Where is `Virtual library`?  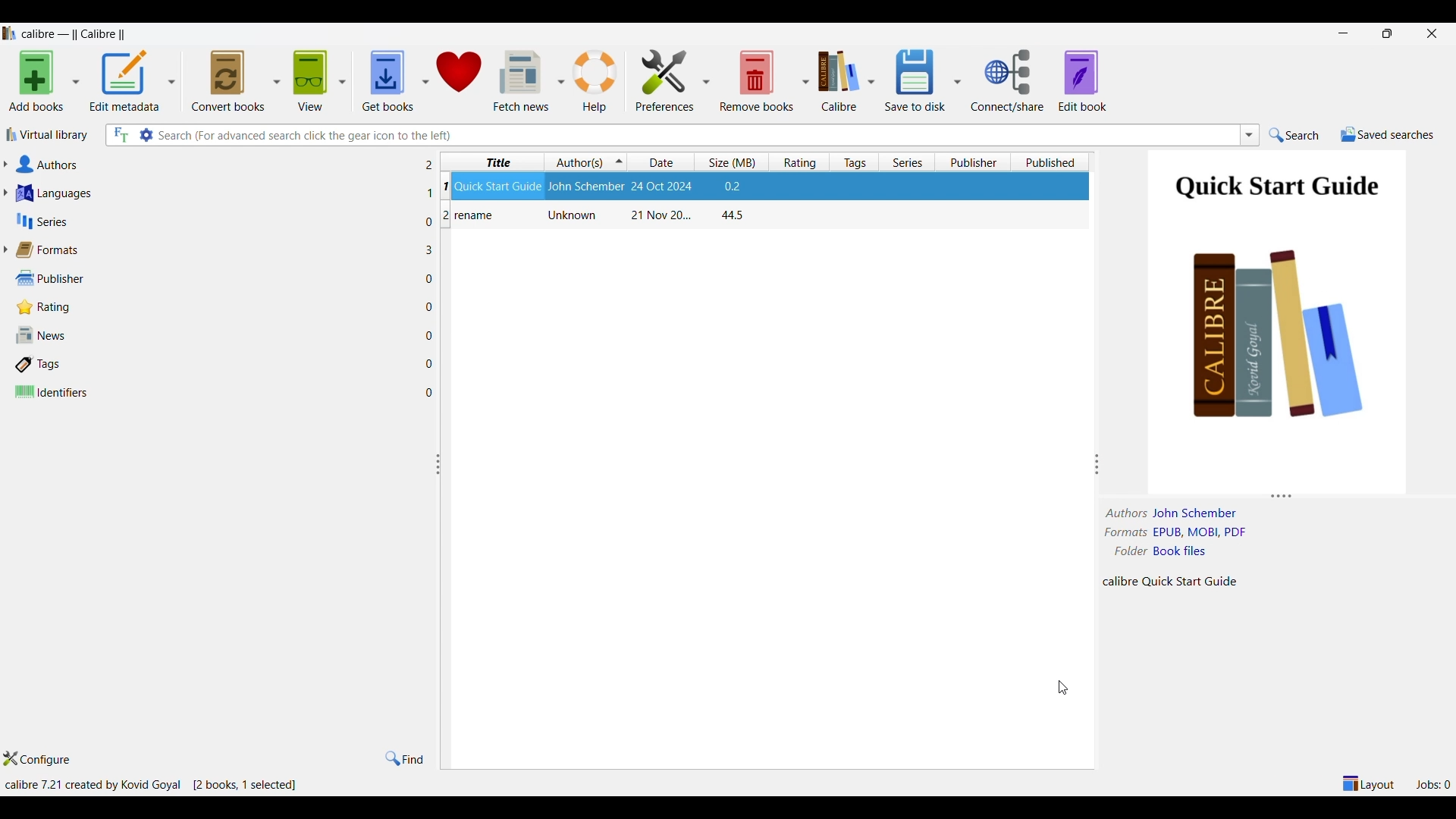 Virtual library is located at coordinates (47, 135).